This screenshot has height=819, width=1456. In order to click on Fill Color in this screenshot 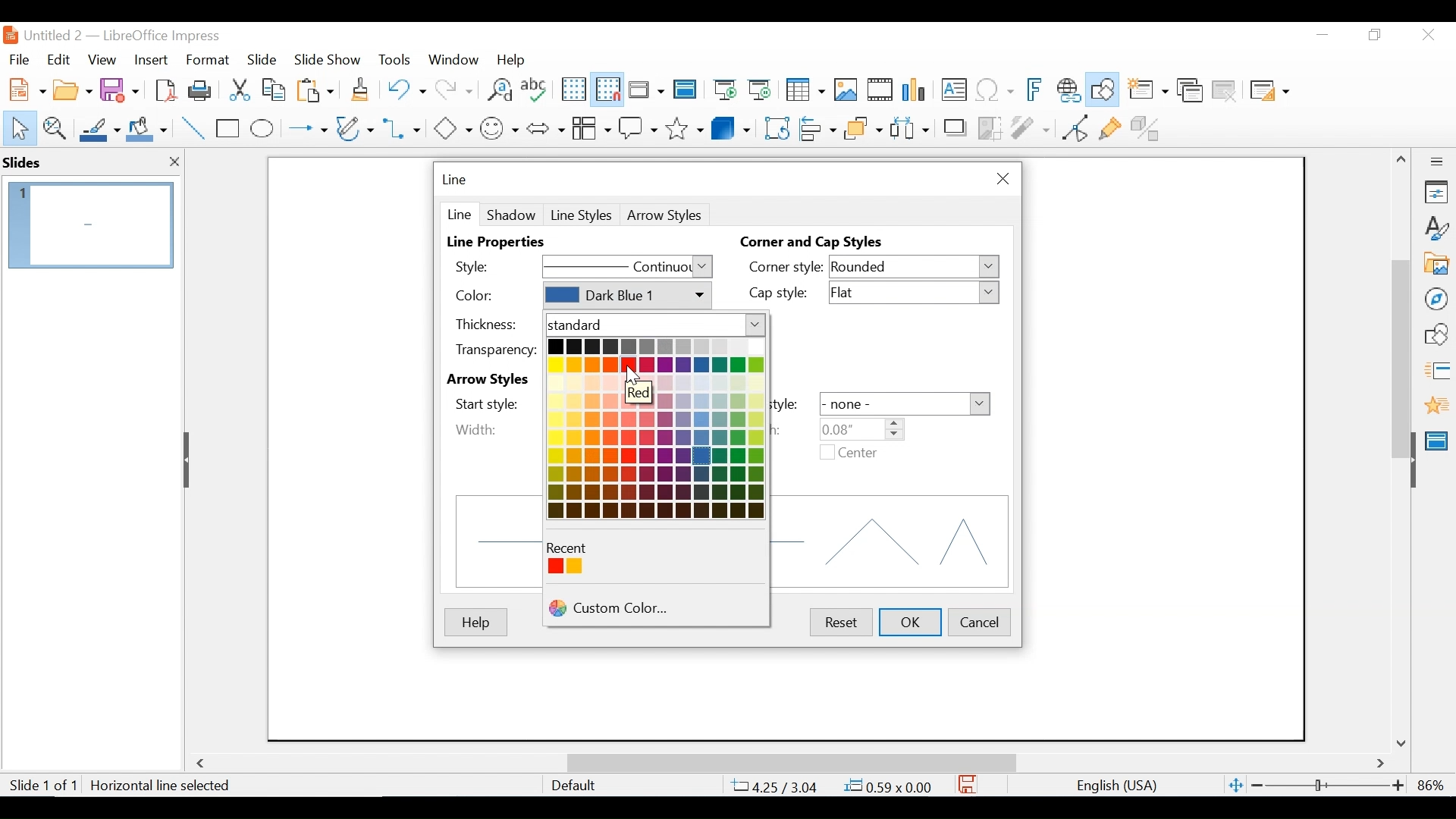, I will do `click(147, 129)`.